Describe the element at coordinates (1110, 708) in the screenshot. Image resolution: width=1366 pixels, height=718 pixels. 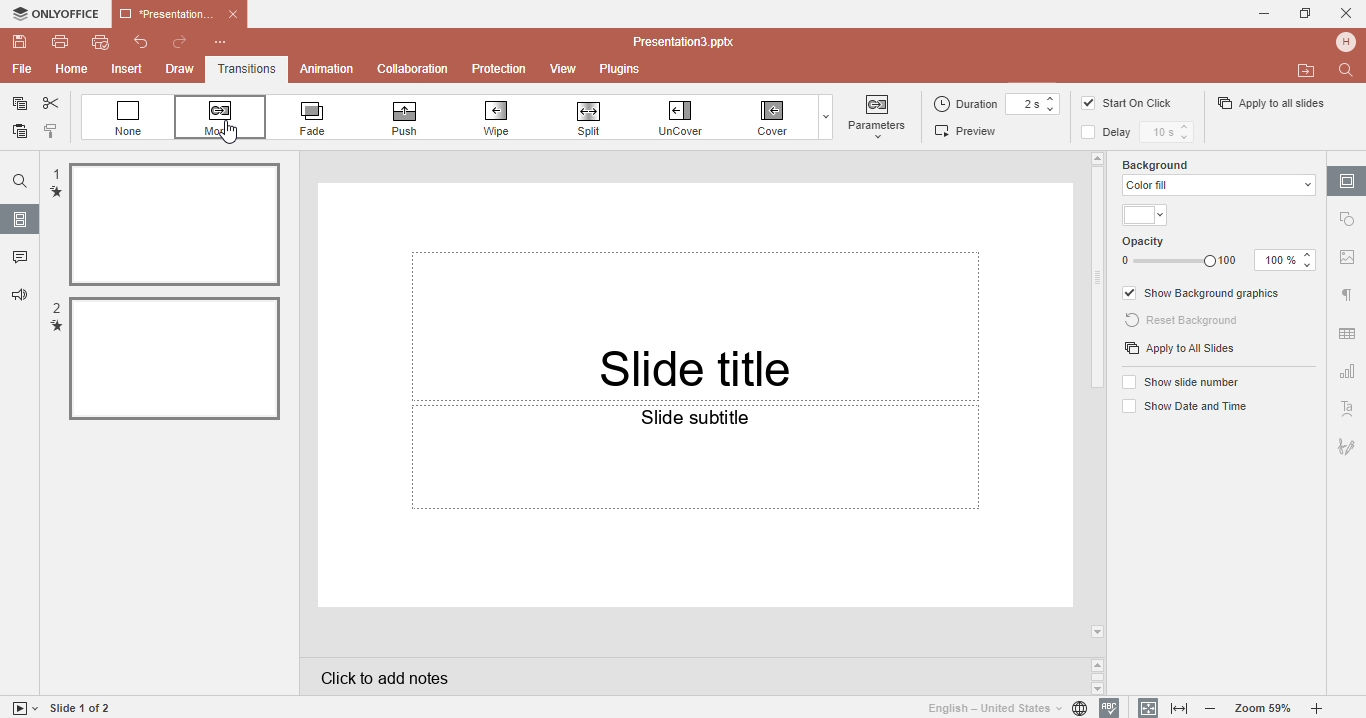
I see `Spell checking` at that location.